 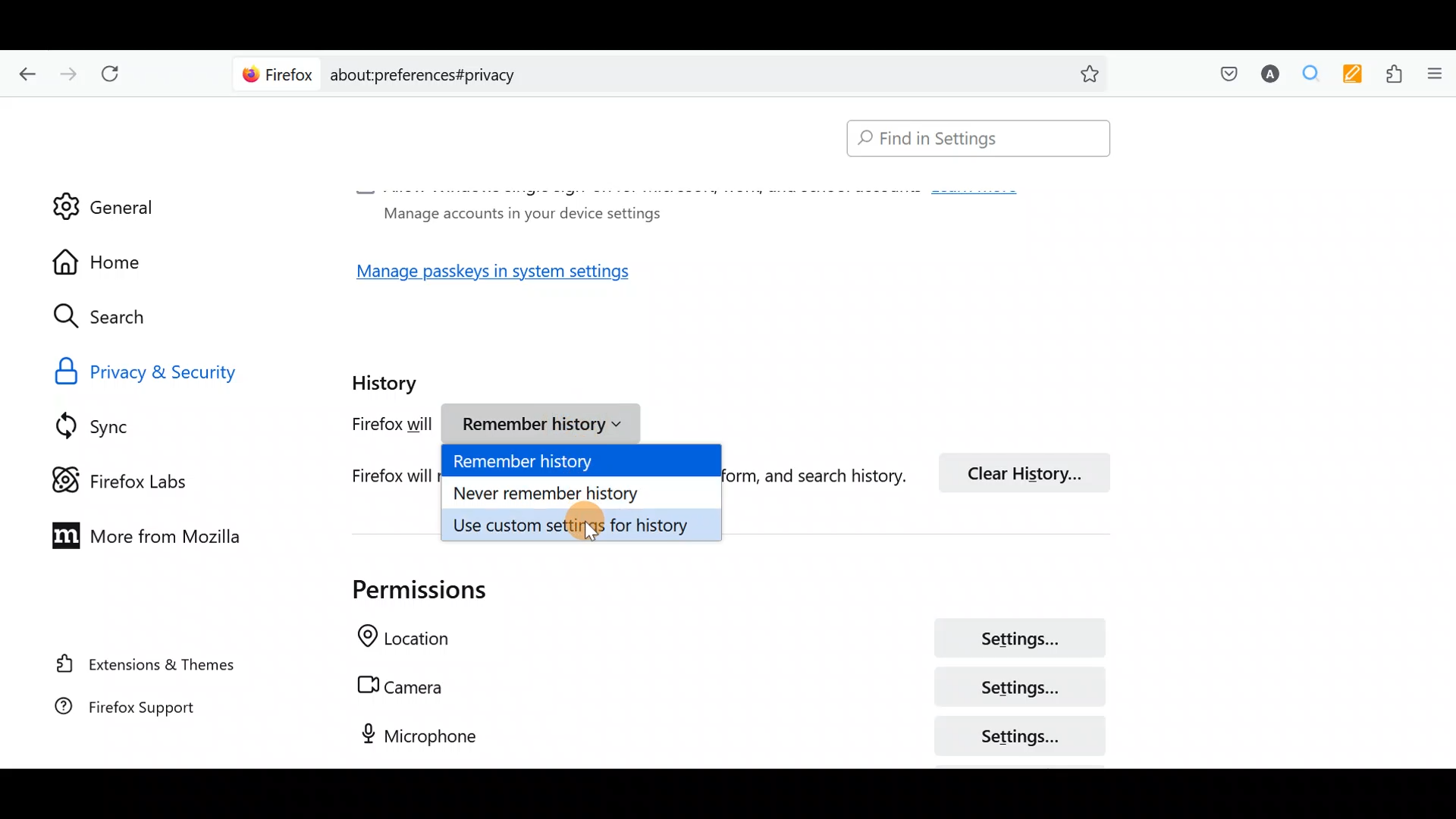 I want to click on Multiple search & highlight, so click(x=1305, y=75).